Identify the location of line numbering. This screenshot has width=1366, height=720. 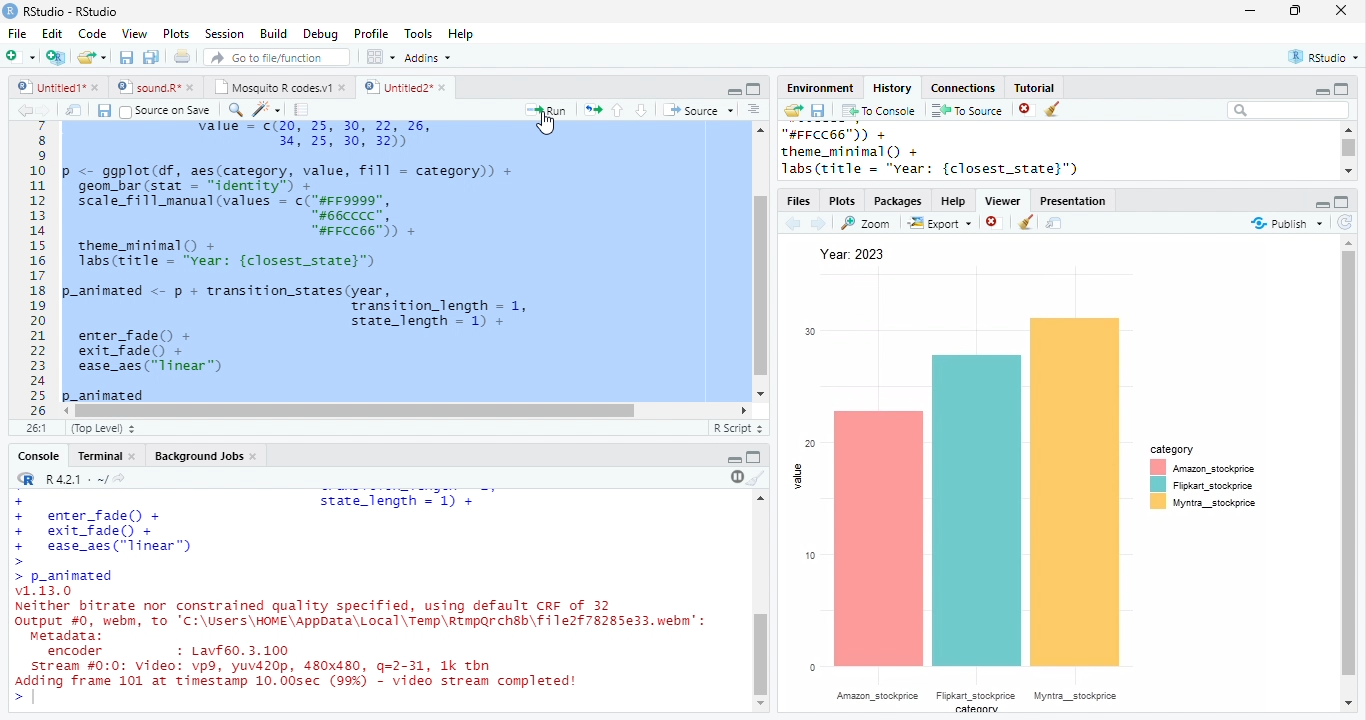
(37, 271).